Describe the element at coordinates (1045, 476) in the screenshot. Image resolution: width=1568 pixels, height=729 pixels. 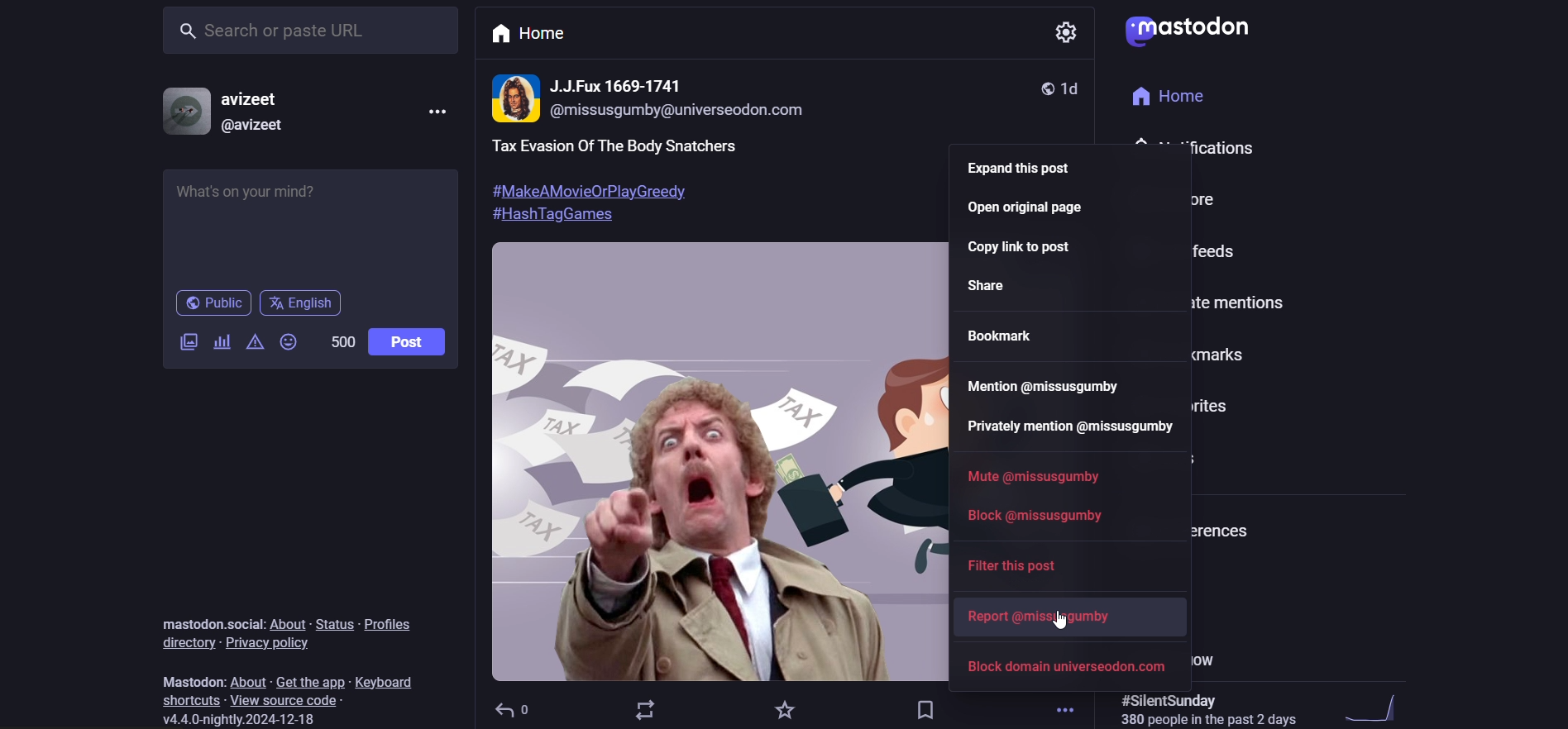
I see `mute` at that location.